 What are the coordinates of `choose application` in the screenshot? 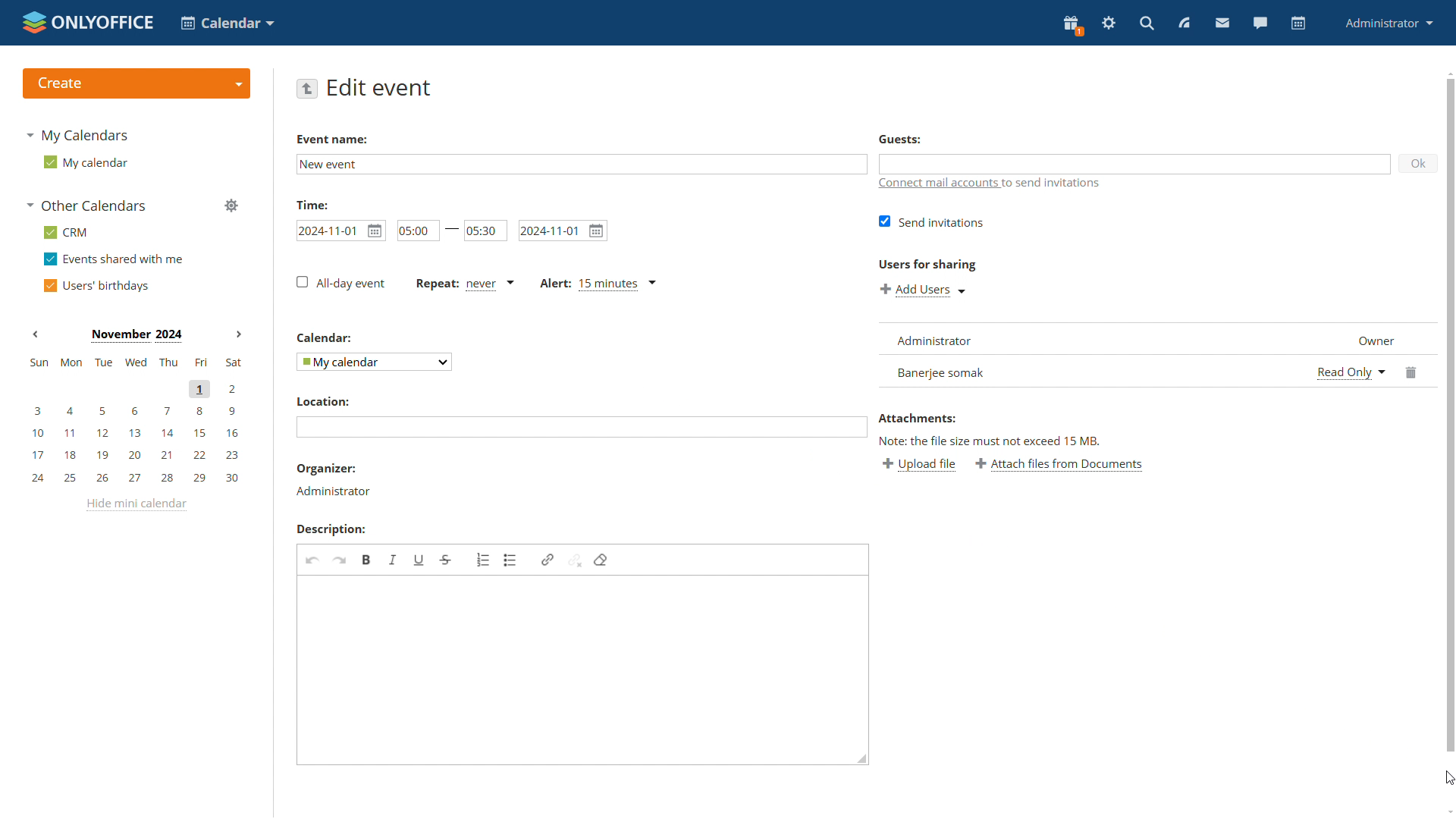 It's located at (226, 22).